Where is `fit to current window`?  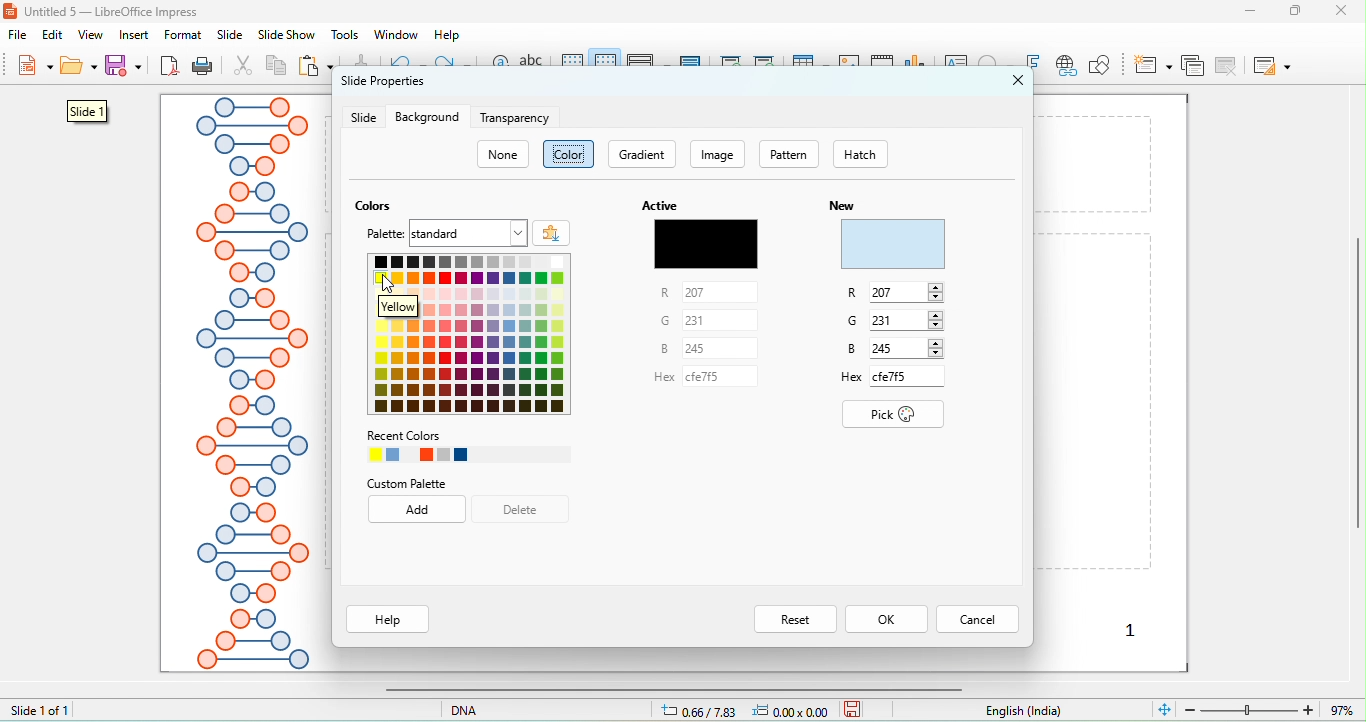
fit to current window is located at coordinates (1163, 708).